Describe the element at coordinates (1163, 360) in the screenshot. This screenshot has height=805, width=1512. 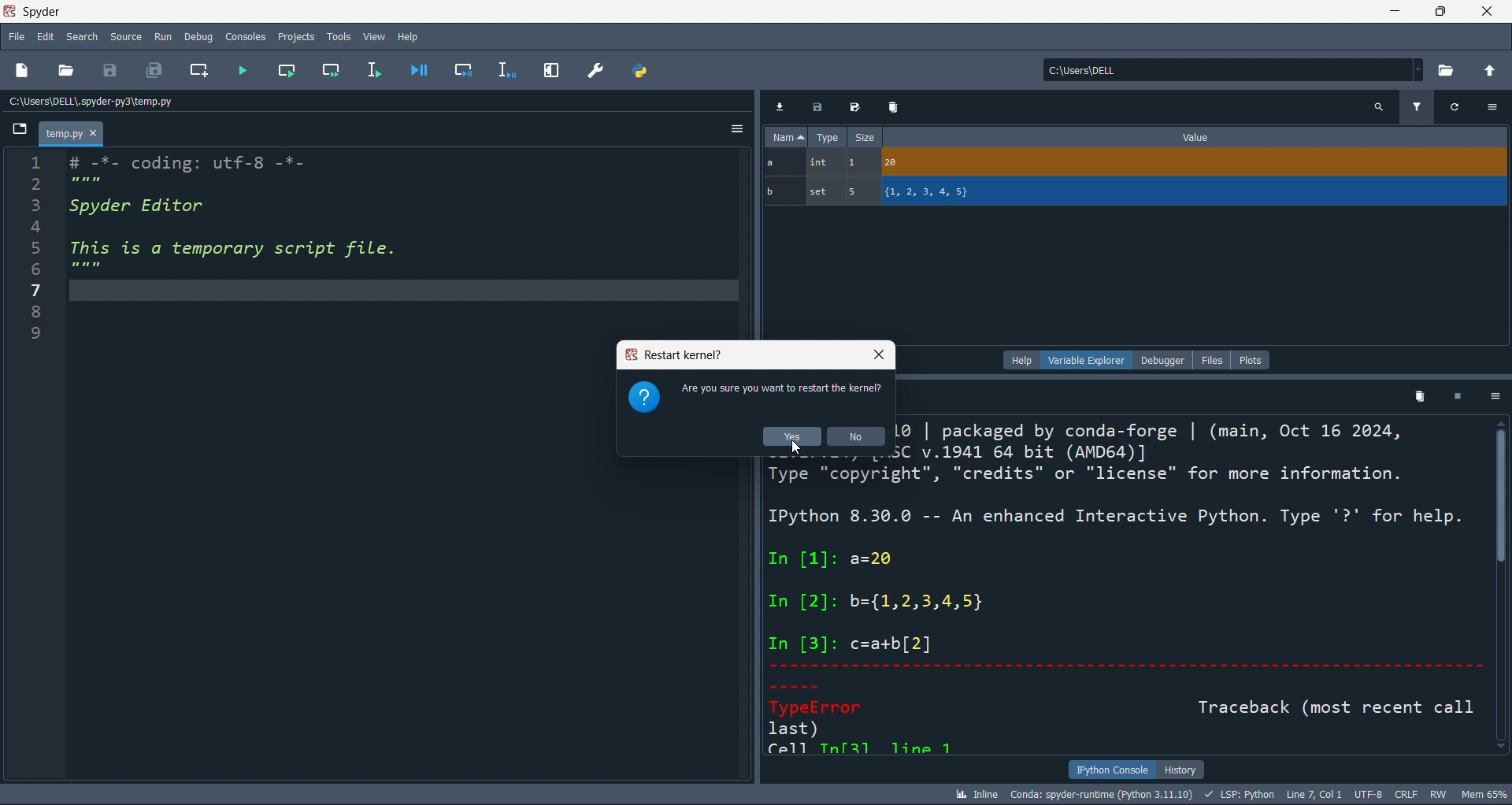
I see `debugger` at that location.